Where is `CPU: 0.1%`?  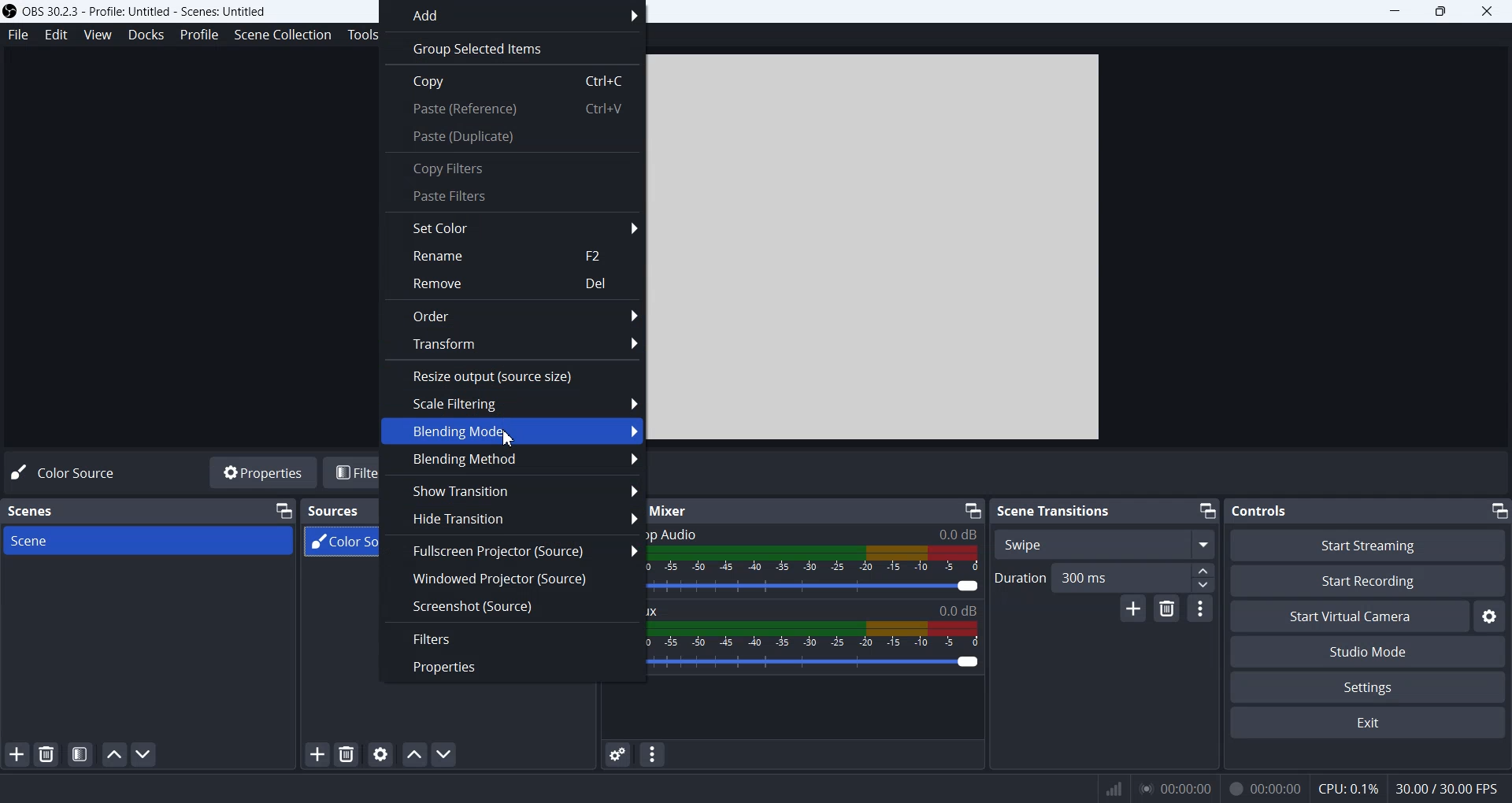
CPU: 0.1% is located at coordinates (1343, 786).